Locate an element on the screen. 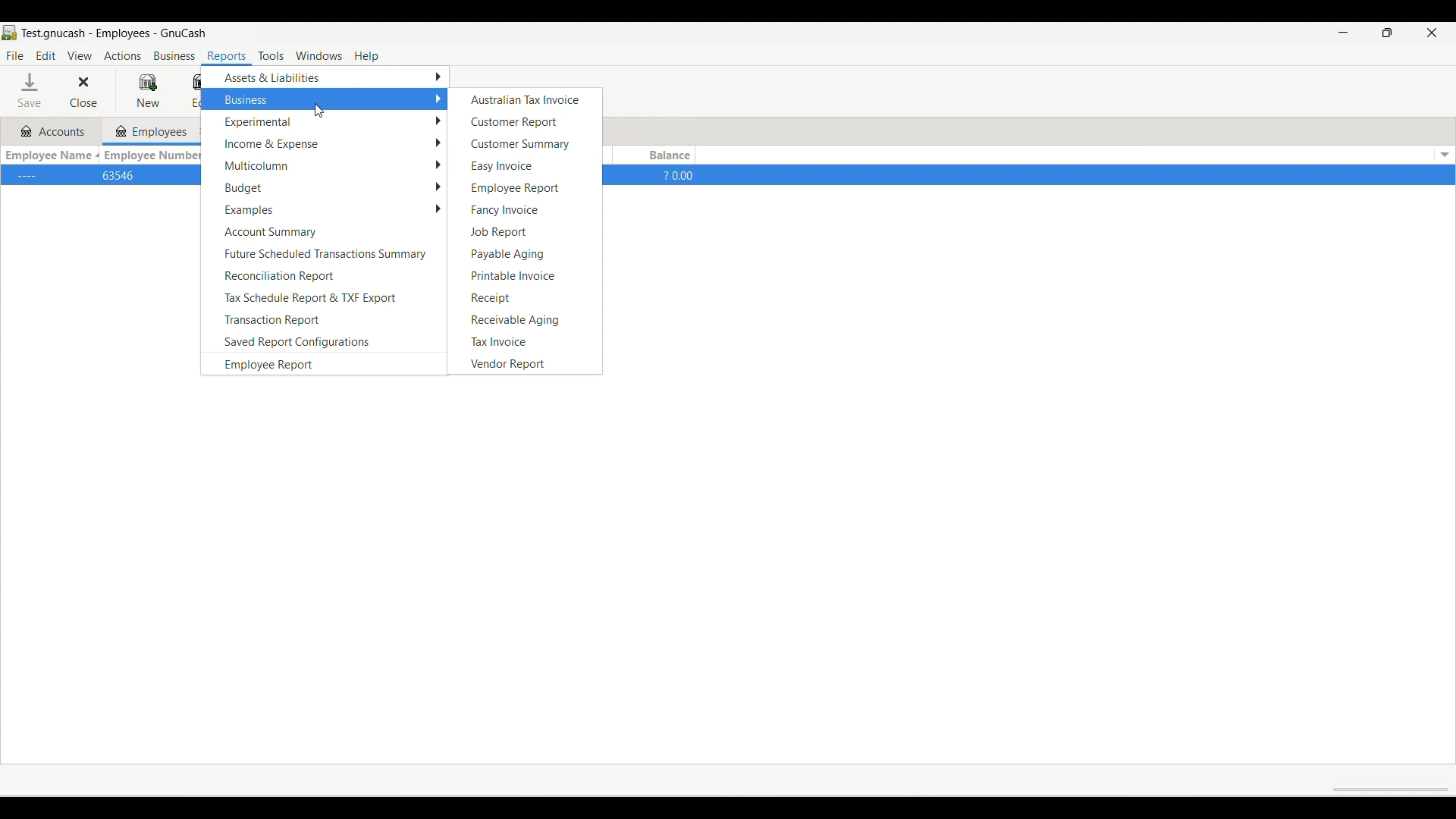  Income and expense options is located at coordinates (325, 143).